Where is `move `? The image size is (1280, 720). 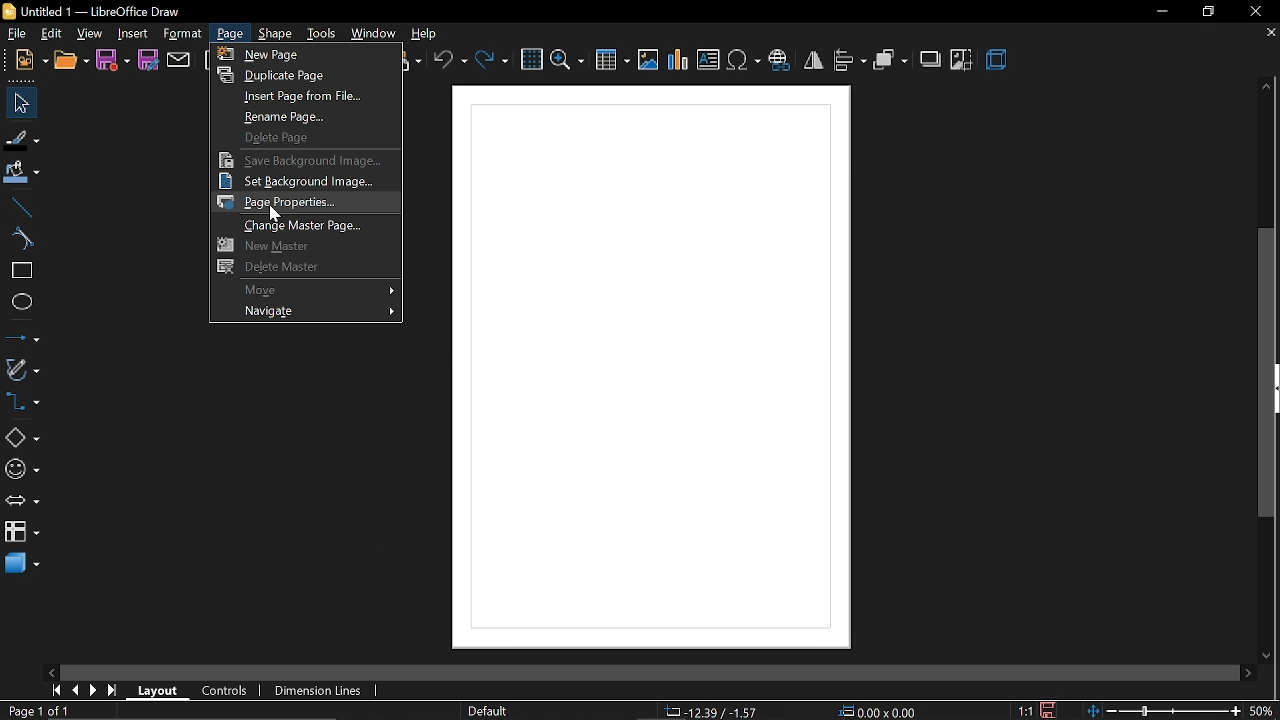
move  is located at coordinates (306, 290).